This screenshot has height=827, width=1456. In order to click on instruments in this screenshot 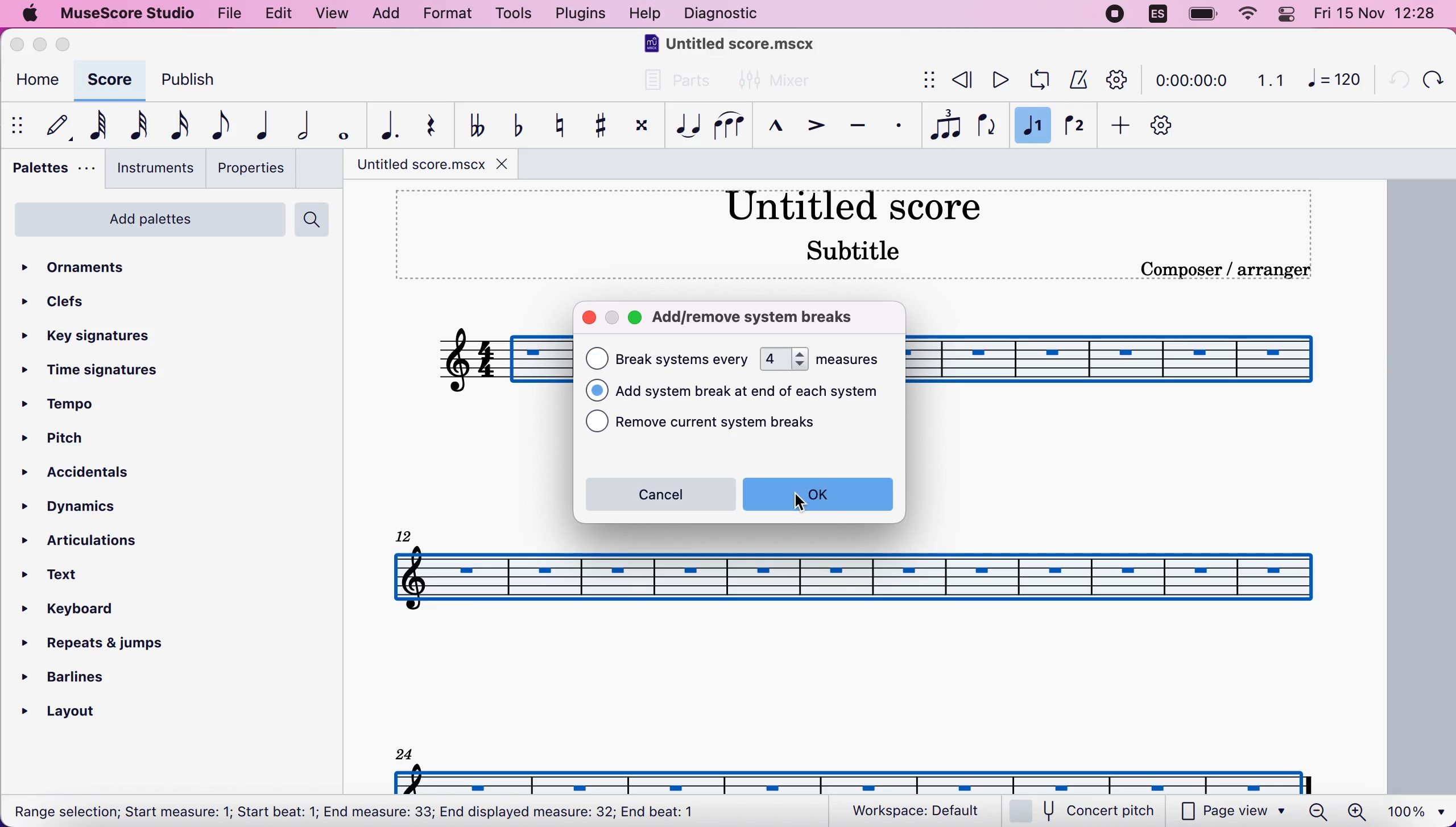, I will do `click(151, 168)`.